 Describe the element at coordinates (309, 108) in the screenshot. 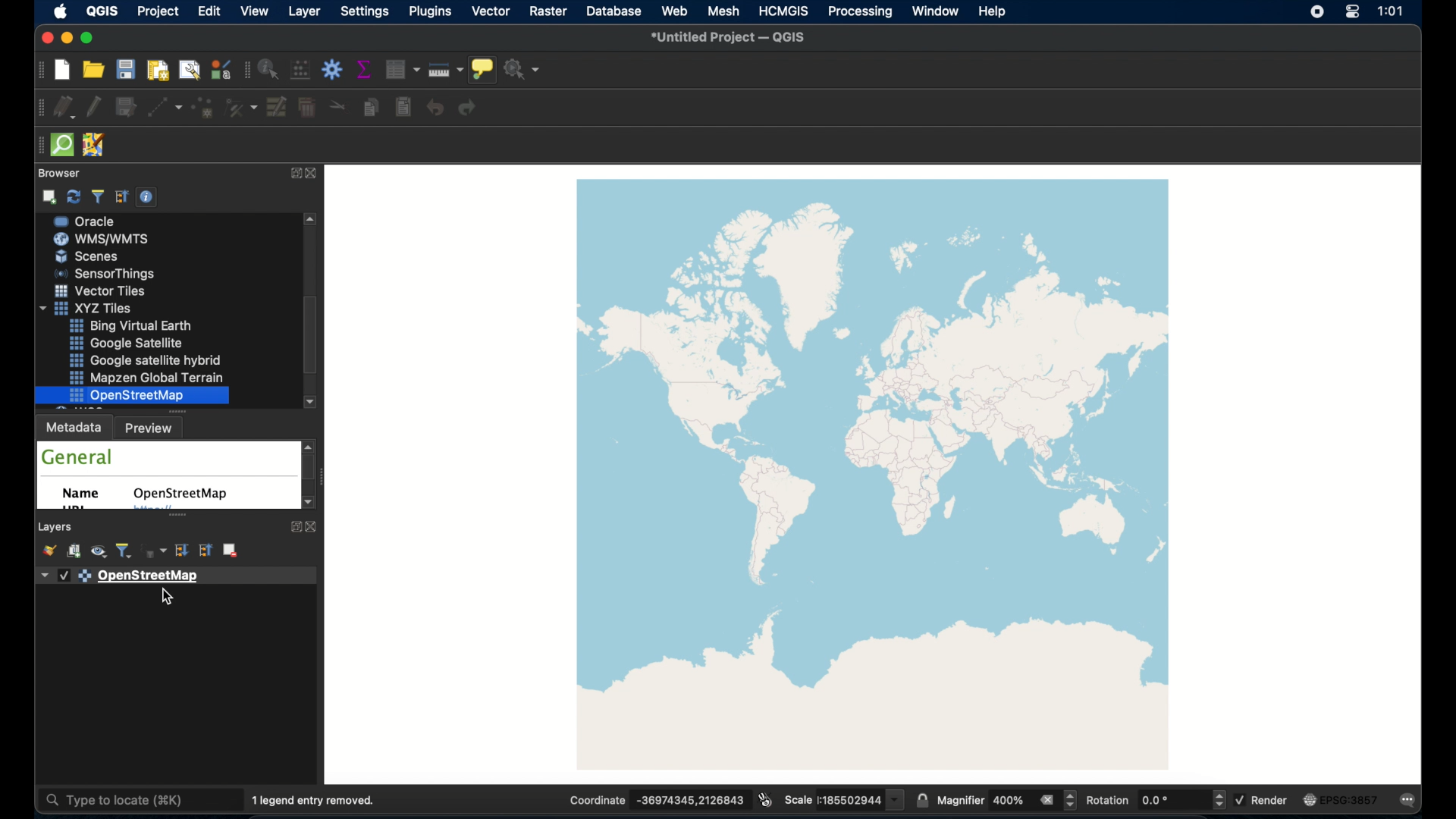

I see `delete selected` at that location.